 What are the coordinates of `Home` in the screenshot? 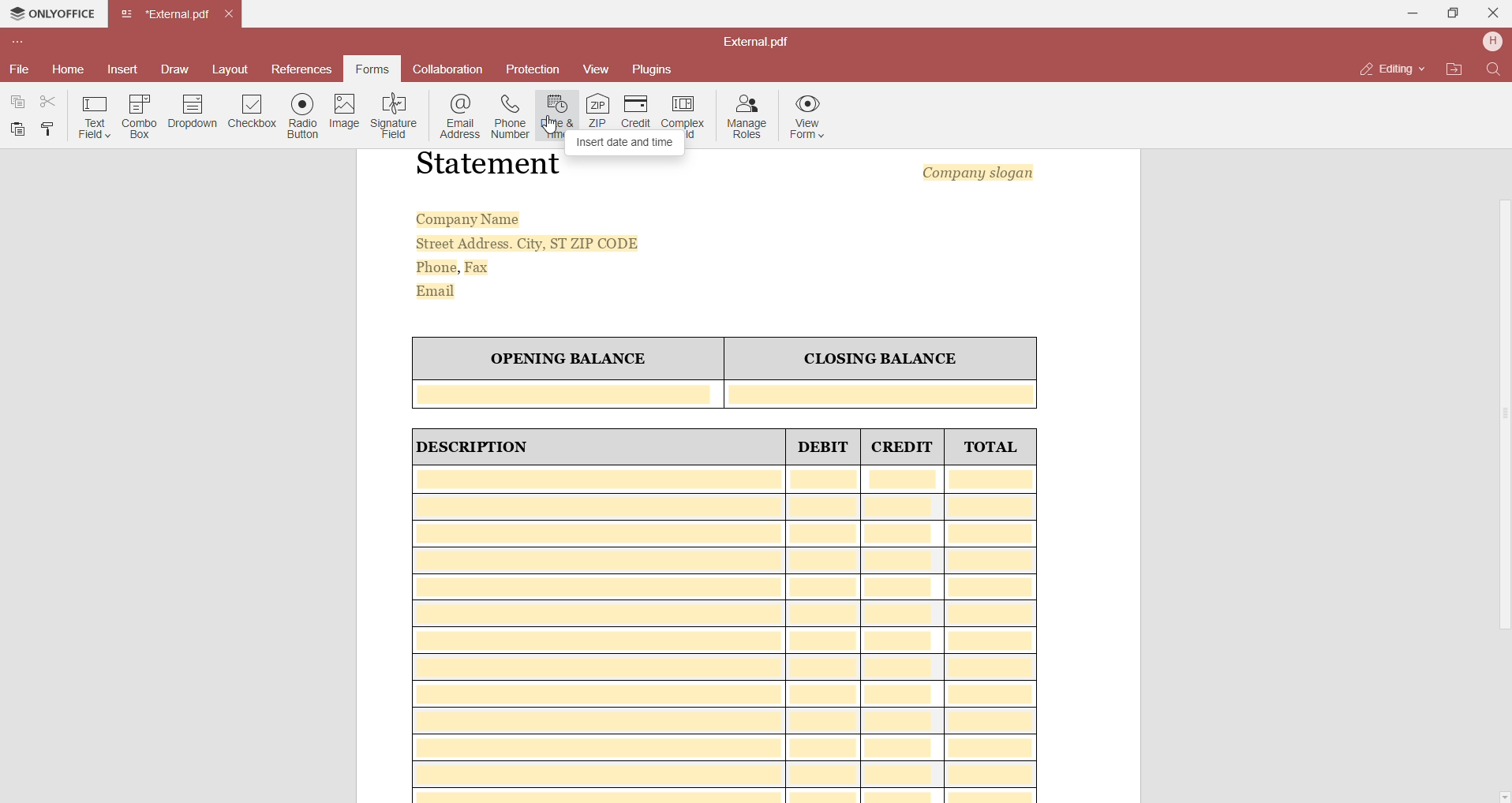 It's located at (68, 70).